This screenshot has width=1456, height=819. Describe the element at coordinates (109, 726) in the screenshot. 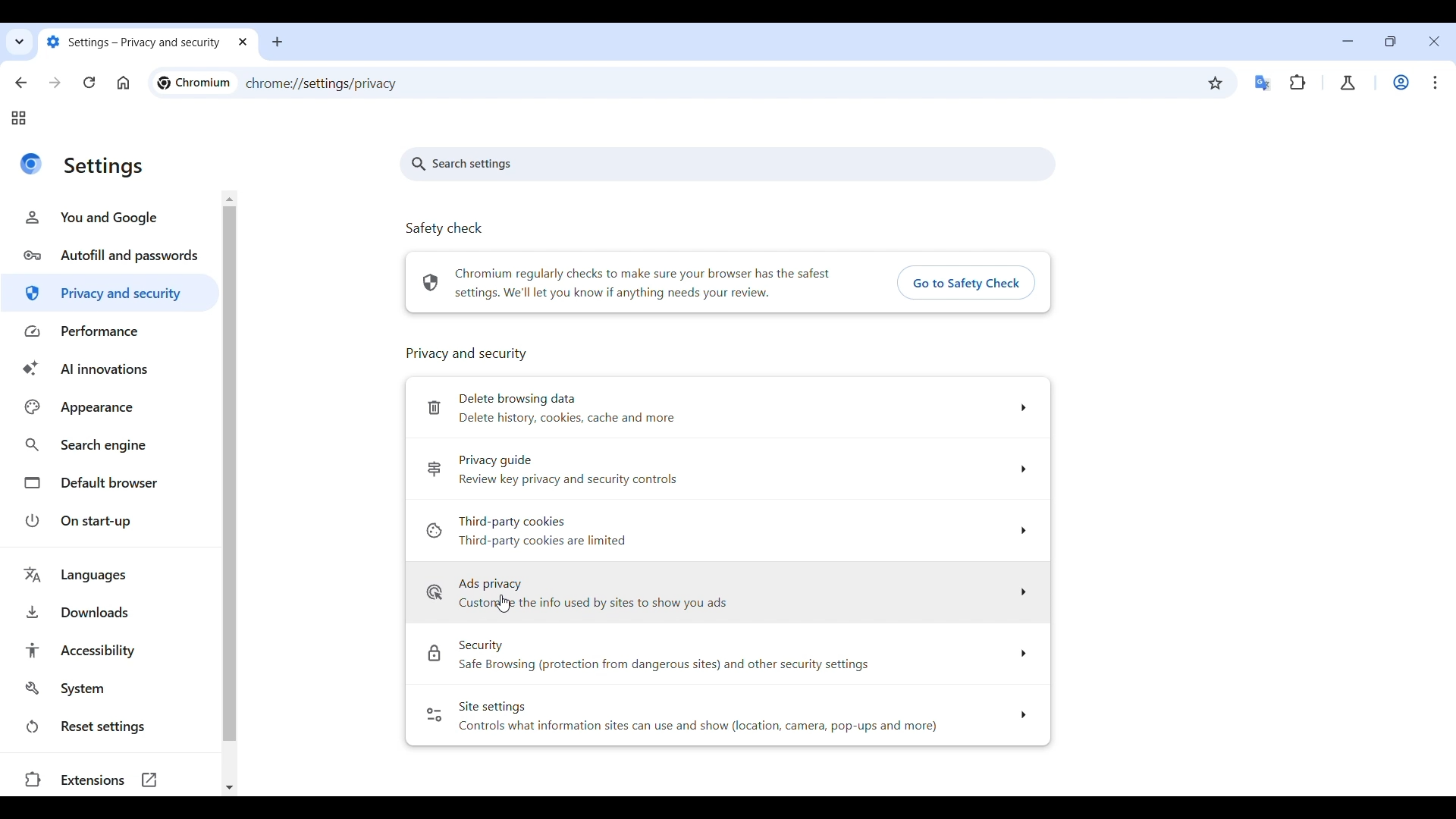

I see `Reset settings` at that location.